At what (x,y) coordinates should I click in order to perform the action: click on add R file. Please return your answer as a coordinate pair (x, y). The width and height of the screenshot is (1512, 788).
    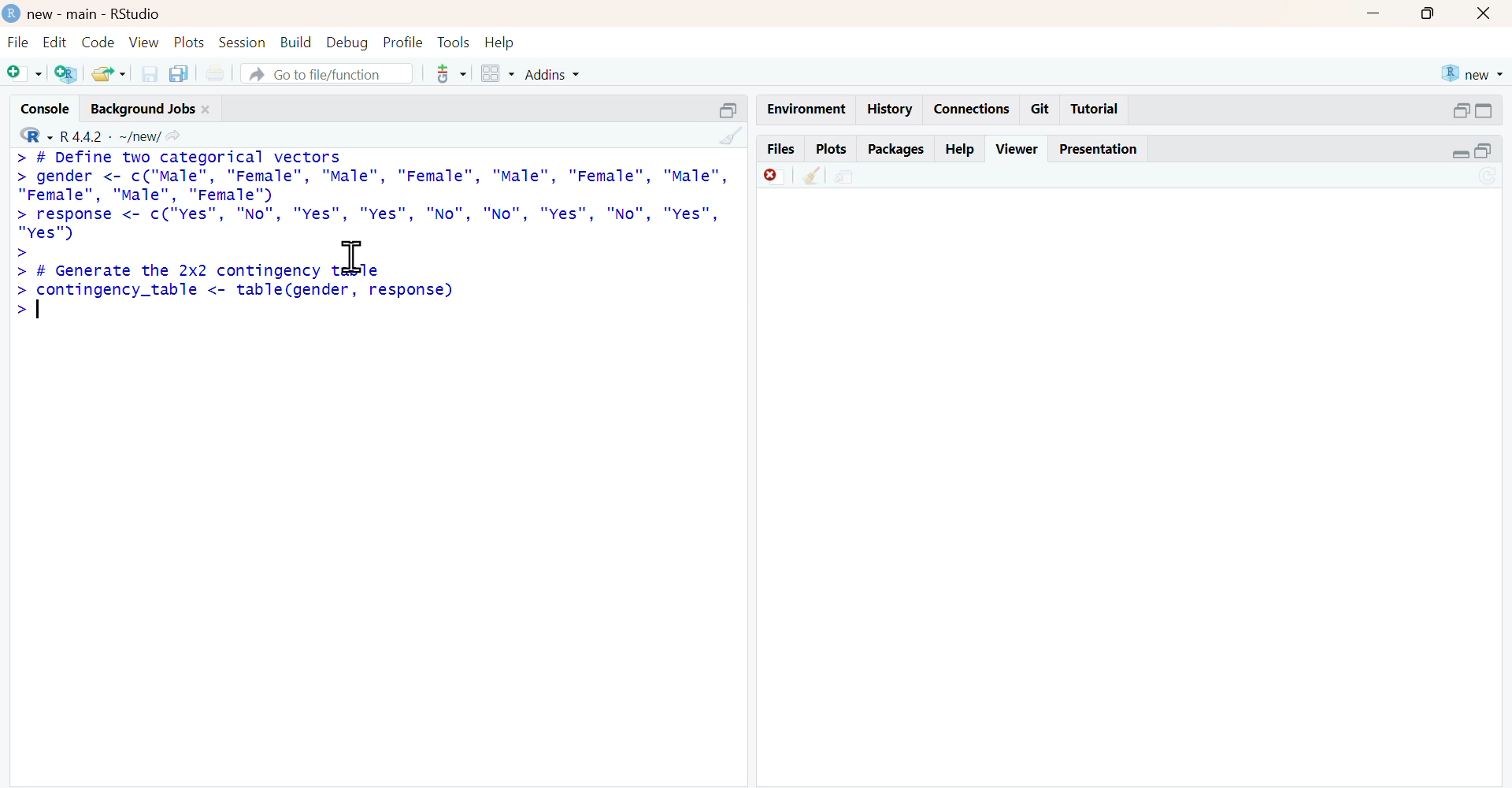
    Looking at the image, I should click on (69, 74).